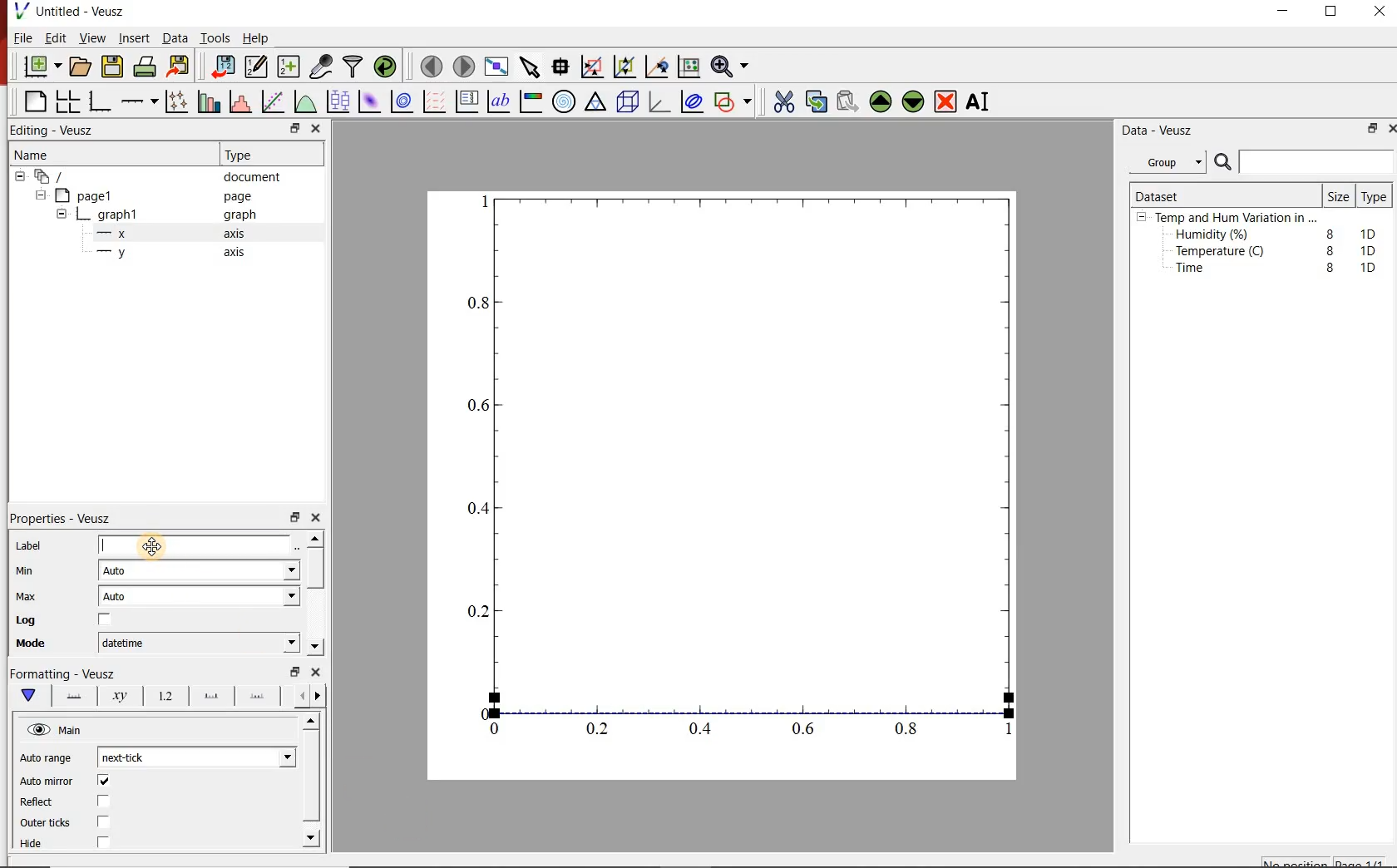 Image resolution: width=1397 pixels, height=868 pixels. I want to click on Fit a function to data, so click(274, 101).